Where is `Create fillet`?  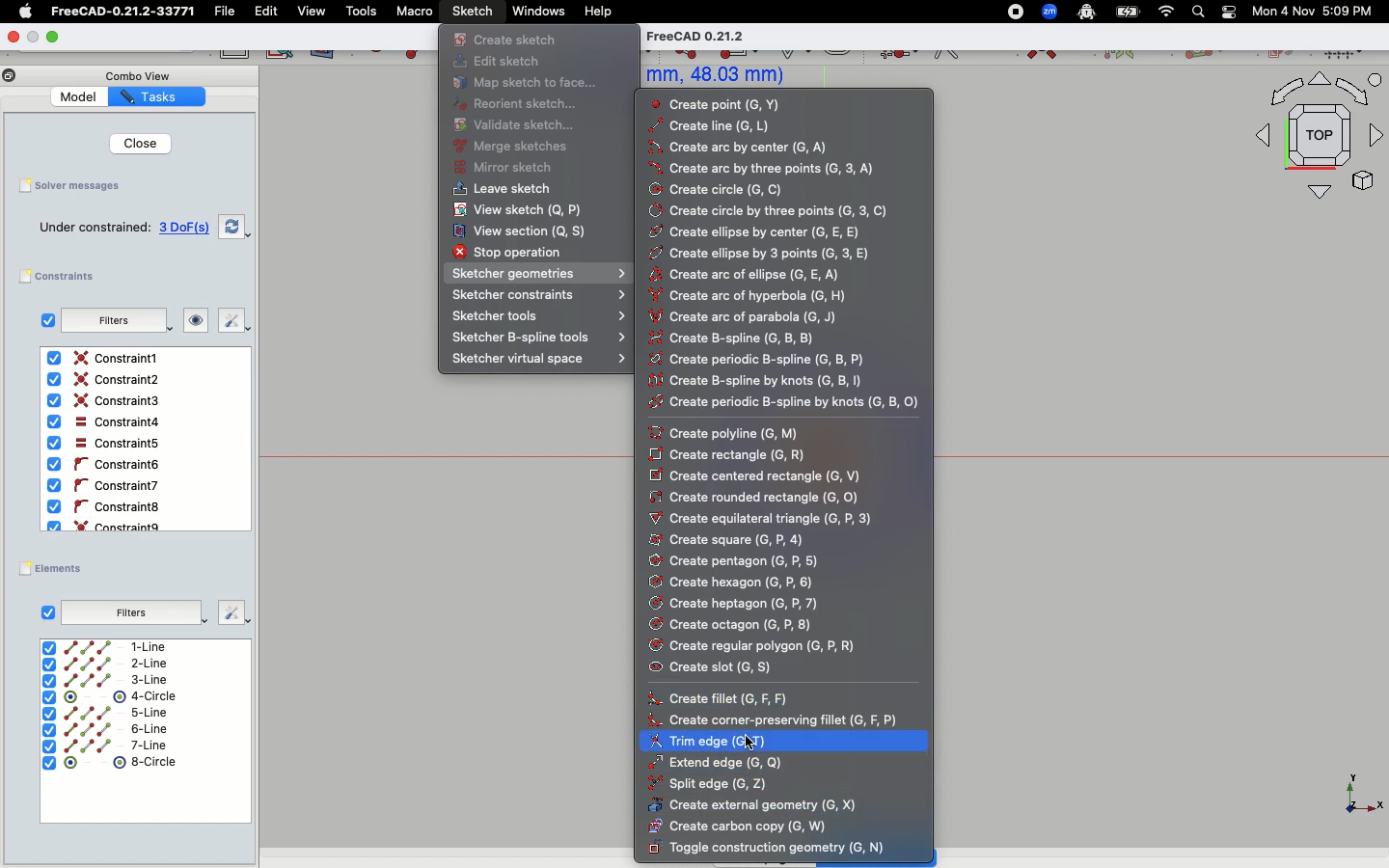
Create fillet is located at coordinates (721, 698).